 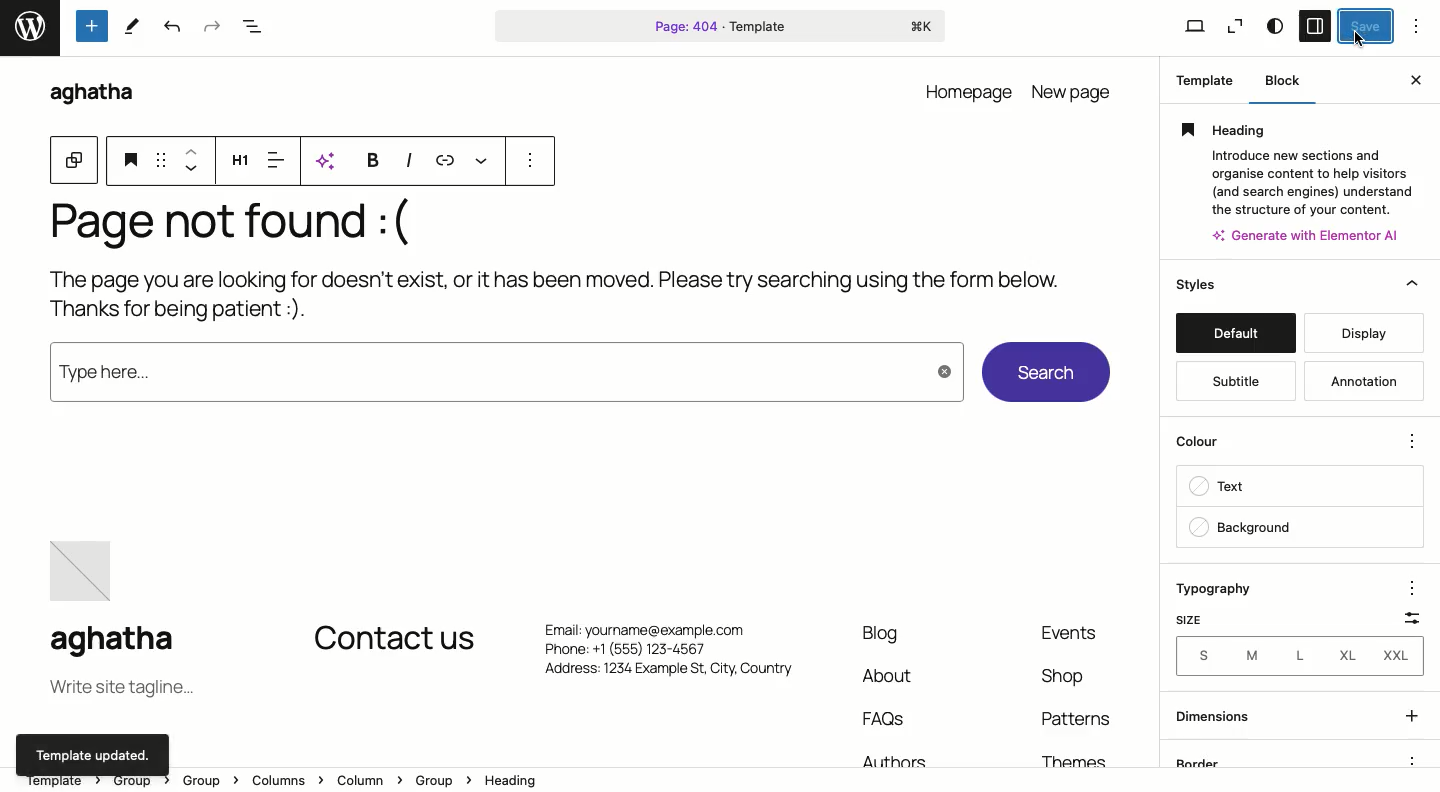 I want to click on S, so click(x=1200, y=656).